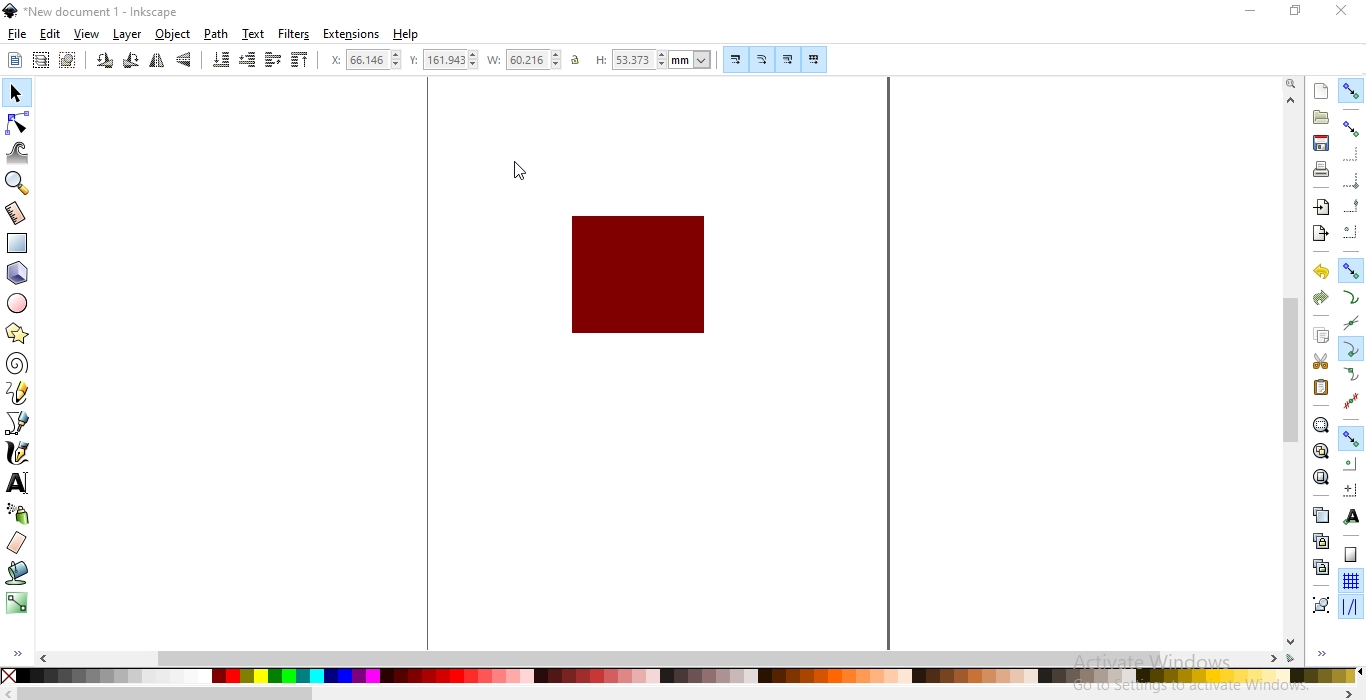  Describe the element at coordinates (1349, 350) in the screenshot. I see `nap to cusp nodes` at that location.